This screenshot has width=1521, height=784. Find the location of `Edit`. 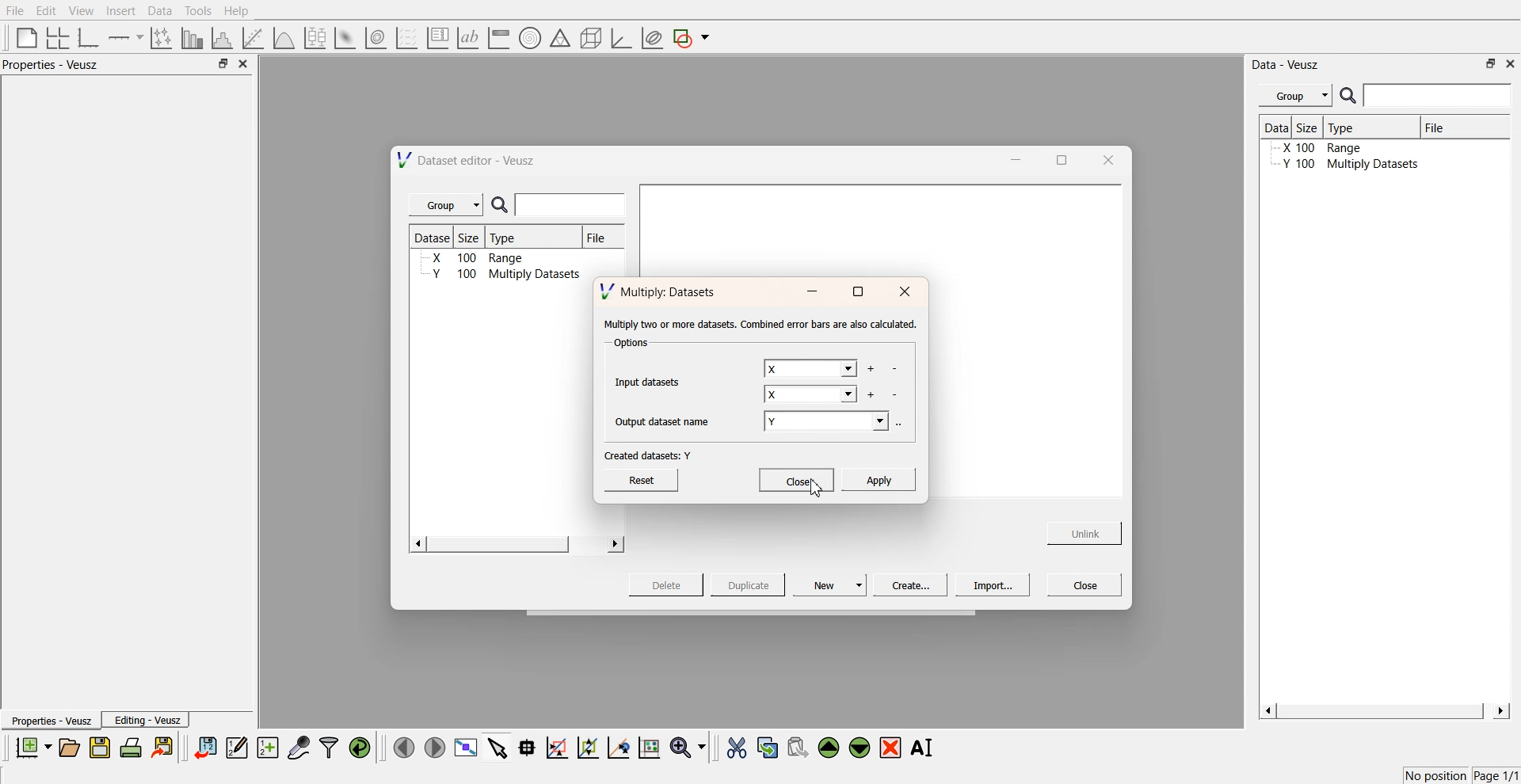

Edit is located at coordinates (47, 10).